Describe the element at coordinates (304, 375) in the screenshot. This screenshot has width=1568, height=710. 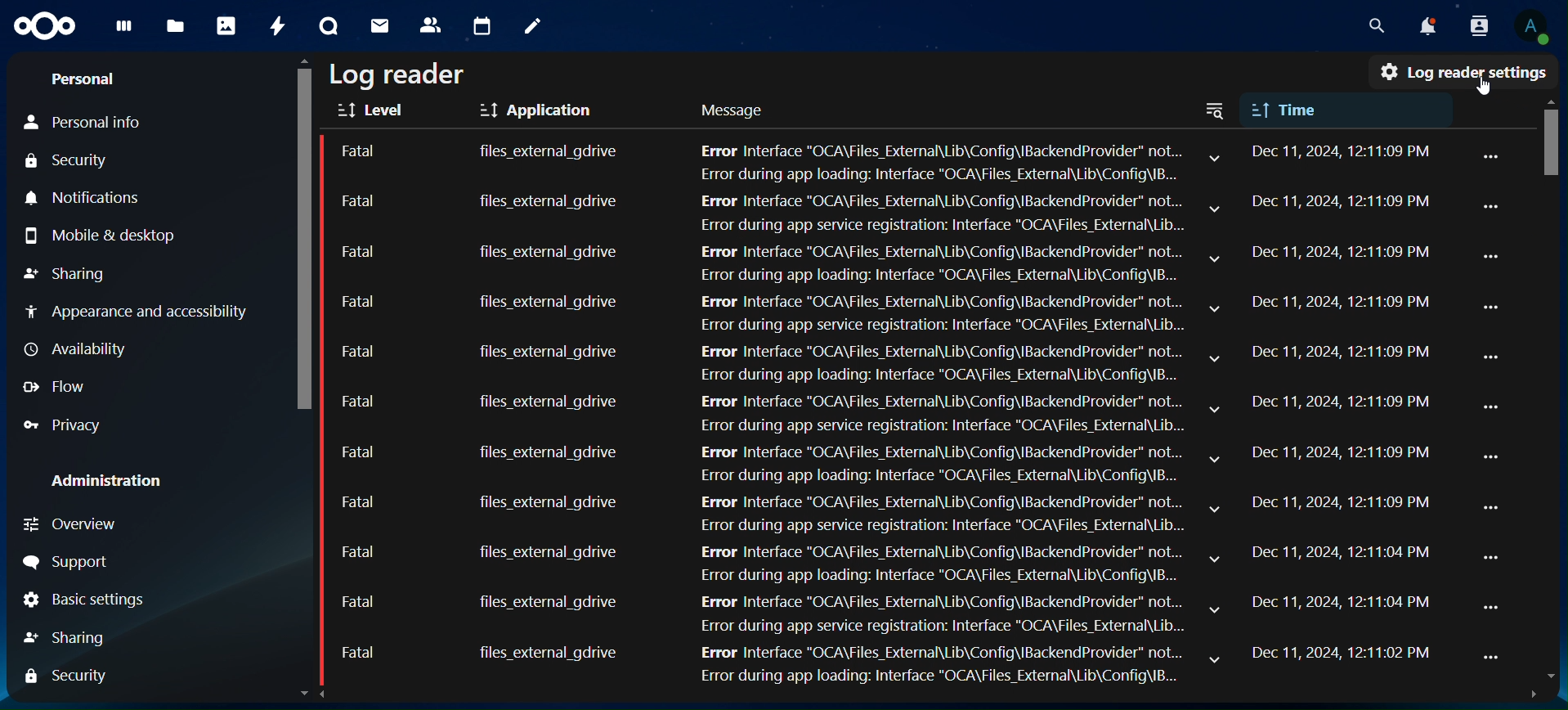
I see `scrollbar` at that location.